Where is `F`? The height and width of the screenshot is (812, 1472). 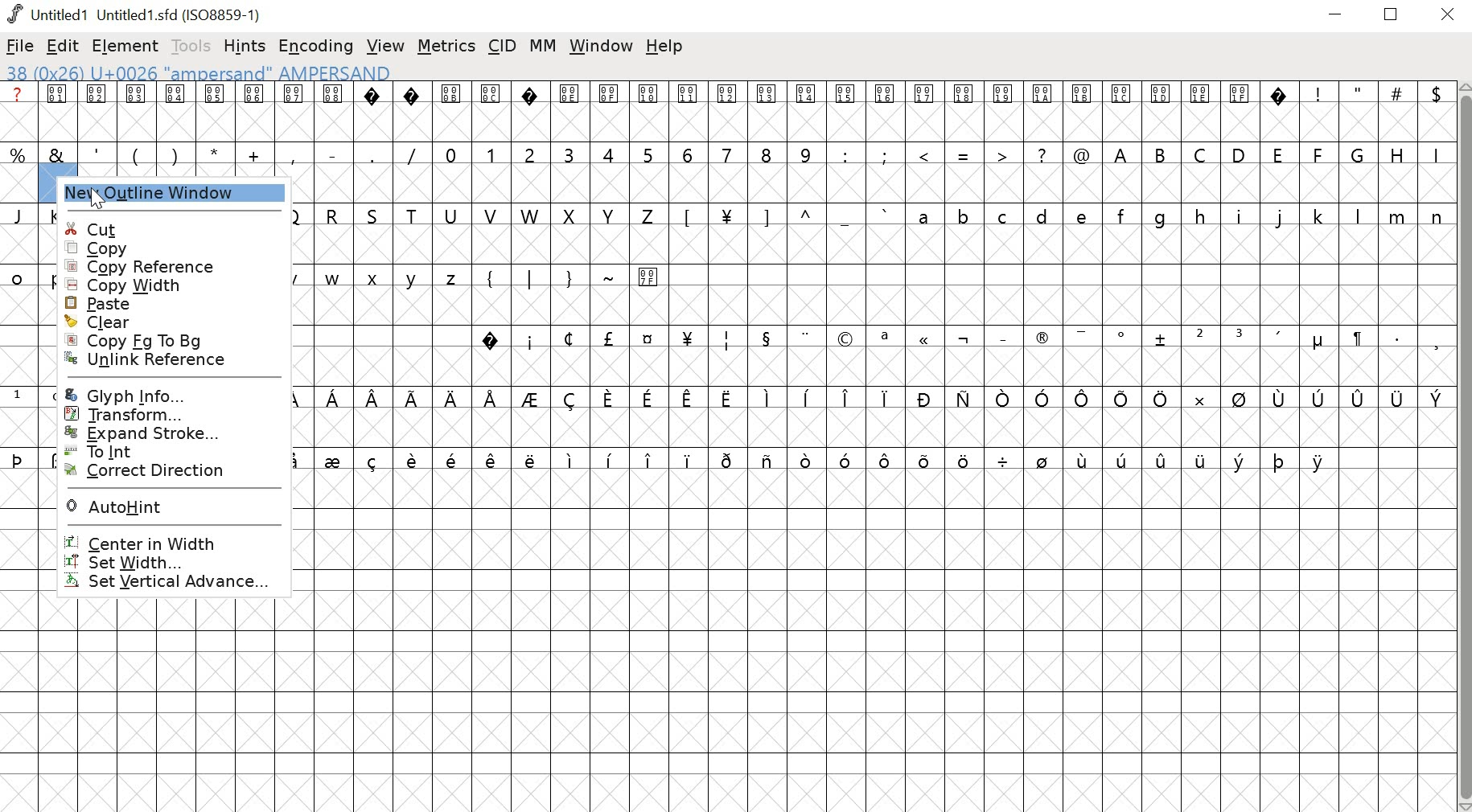
F is located at coordinates (1320, 154).